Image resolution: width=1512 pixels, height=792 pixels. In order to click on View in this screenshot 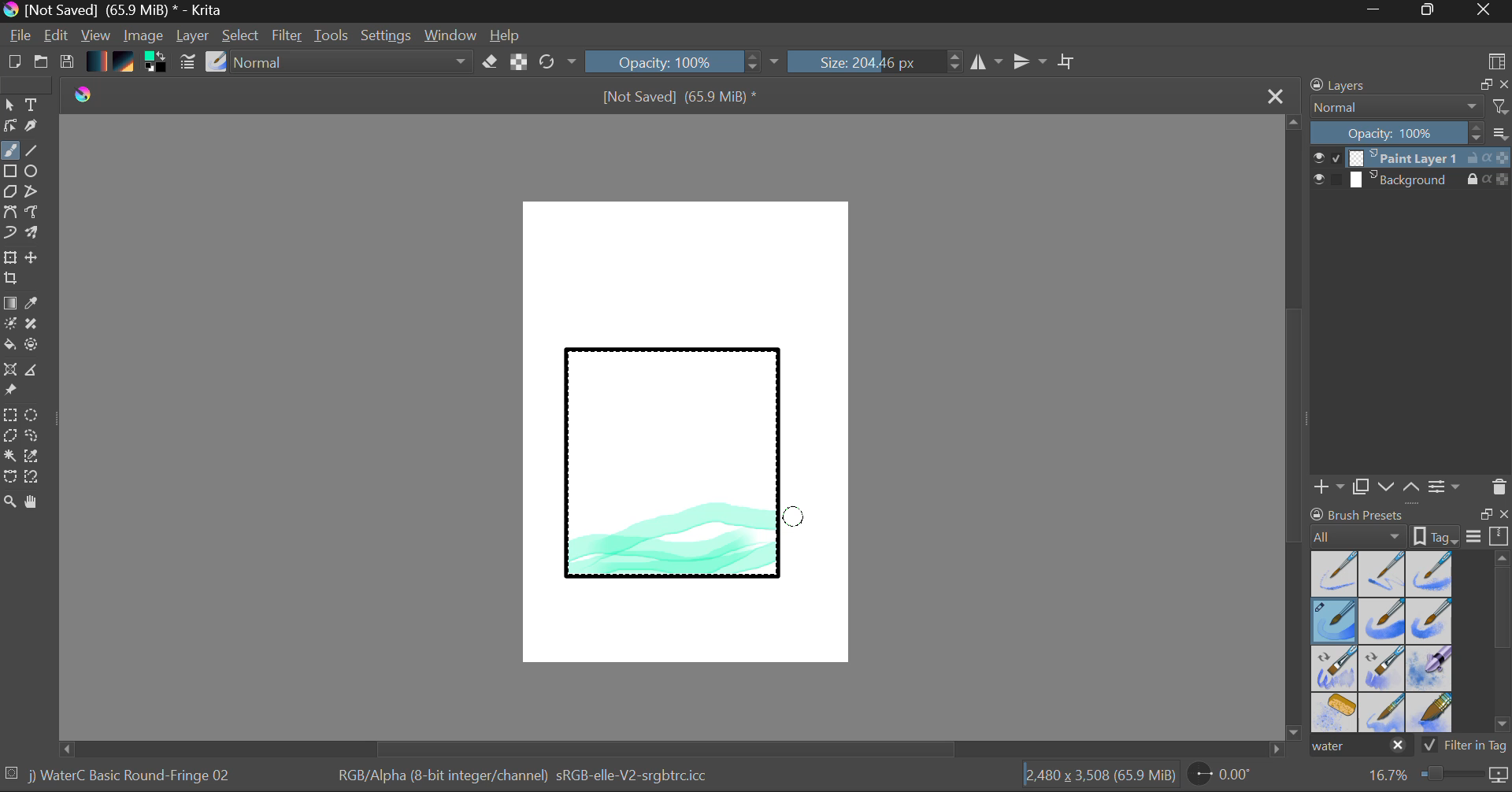, I will do `click(96, 35)`.